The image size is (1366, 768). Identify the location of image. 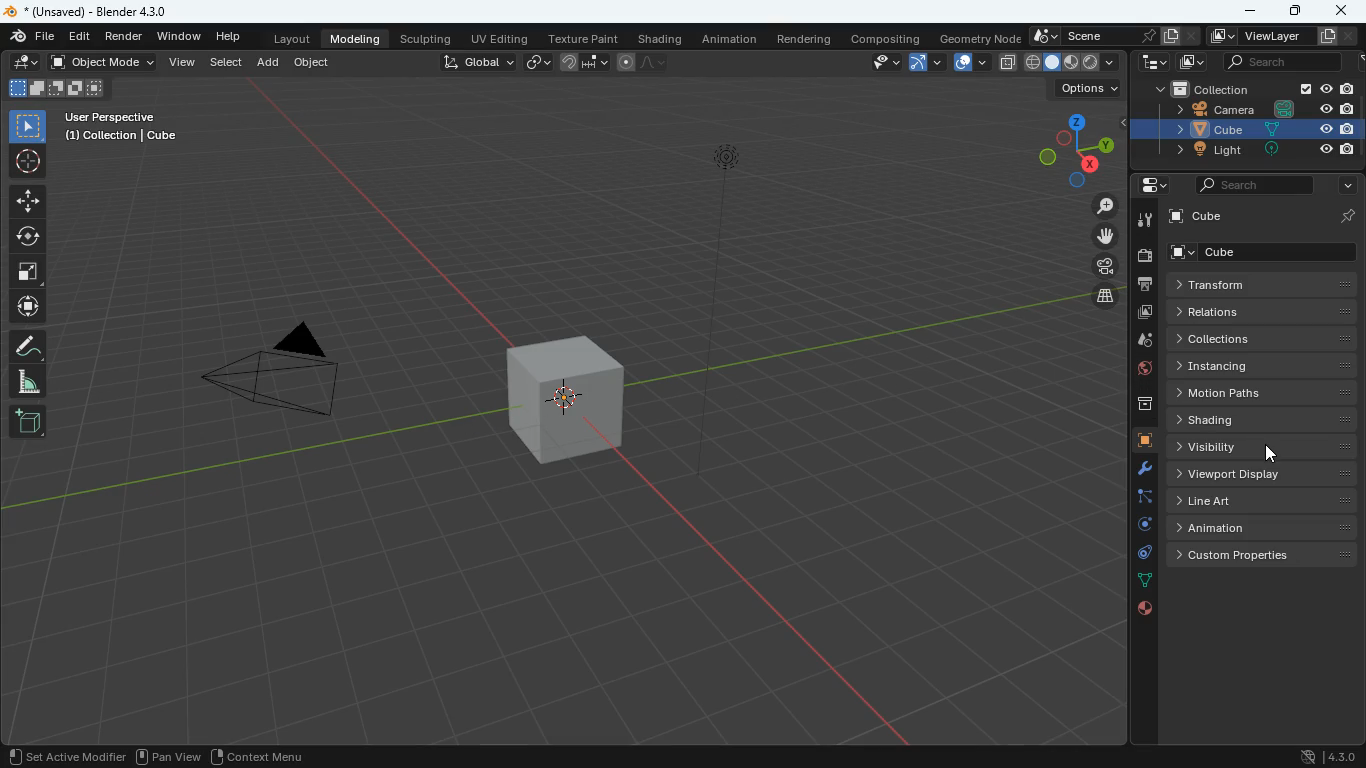
(1188, 63).